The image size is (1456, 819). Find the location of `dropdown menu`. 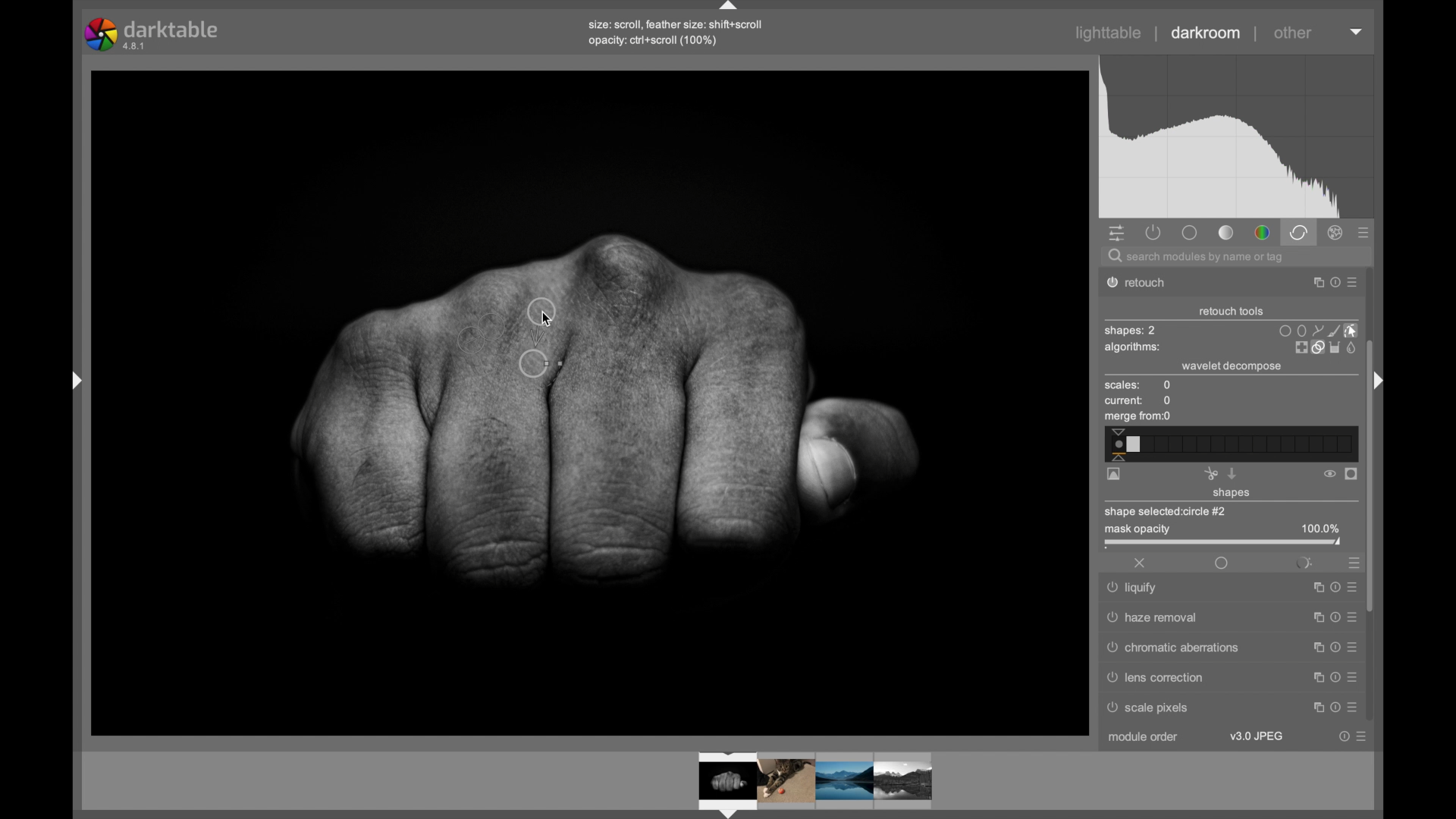

dropdown menu is located at coordinates (1357, 30).